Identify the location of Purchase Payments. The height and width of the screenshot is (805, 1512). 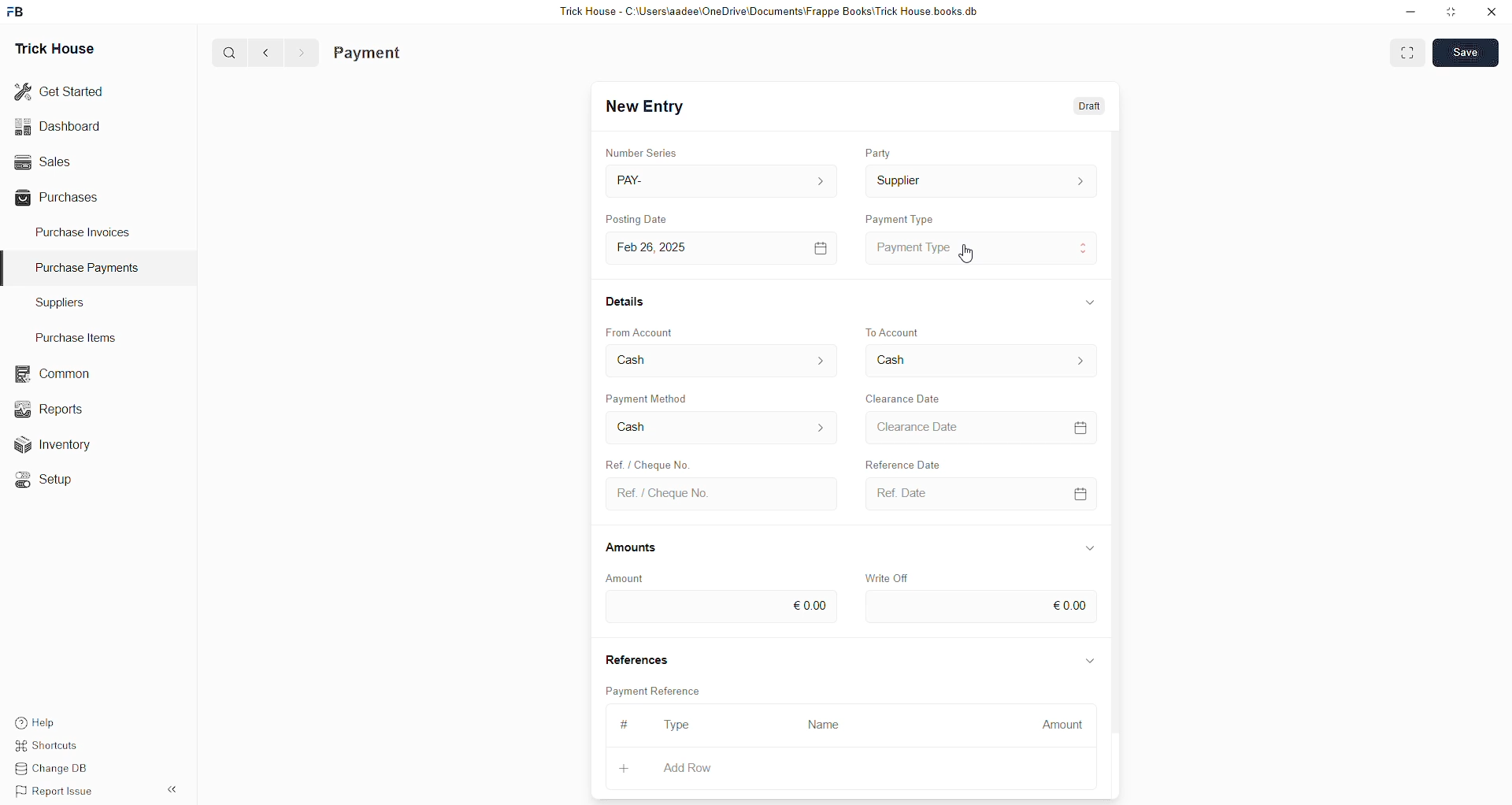
(92, 268).